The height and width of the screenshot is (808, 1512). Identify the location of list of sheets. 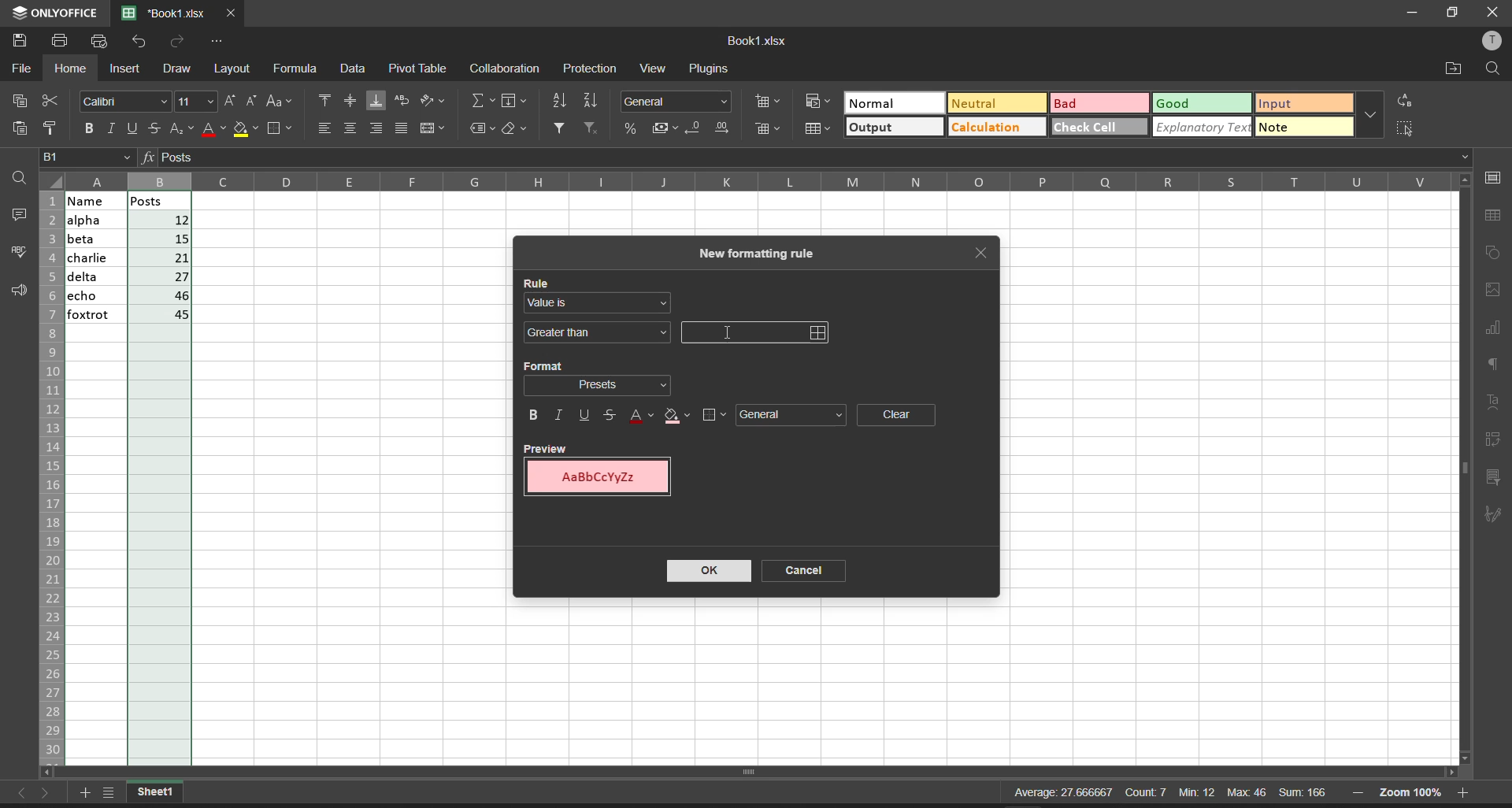
(109, 791).